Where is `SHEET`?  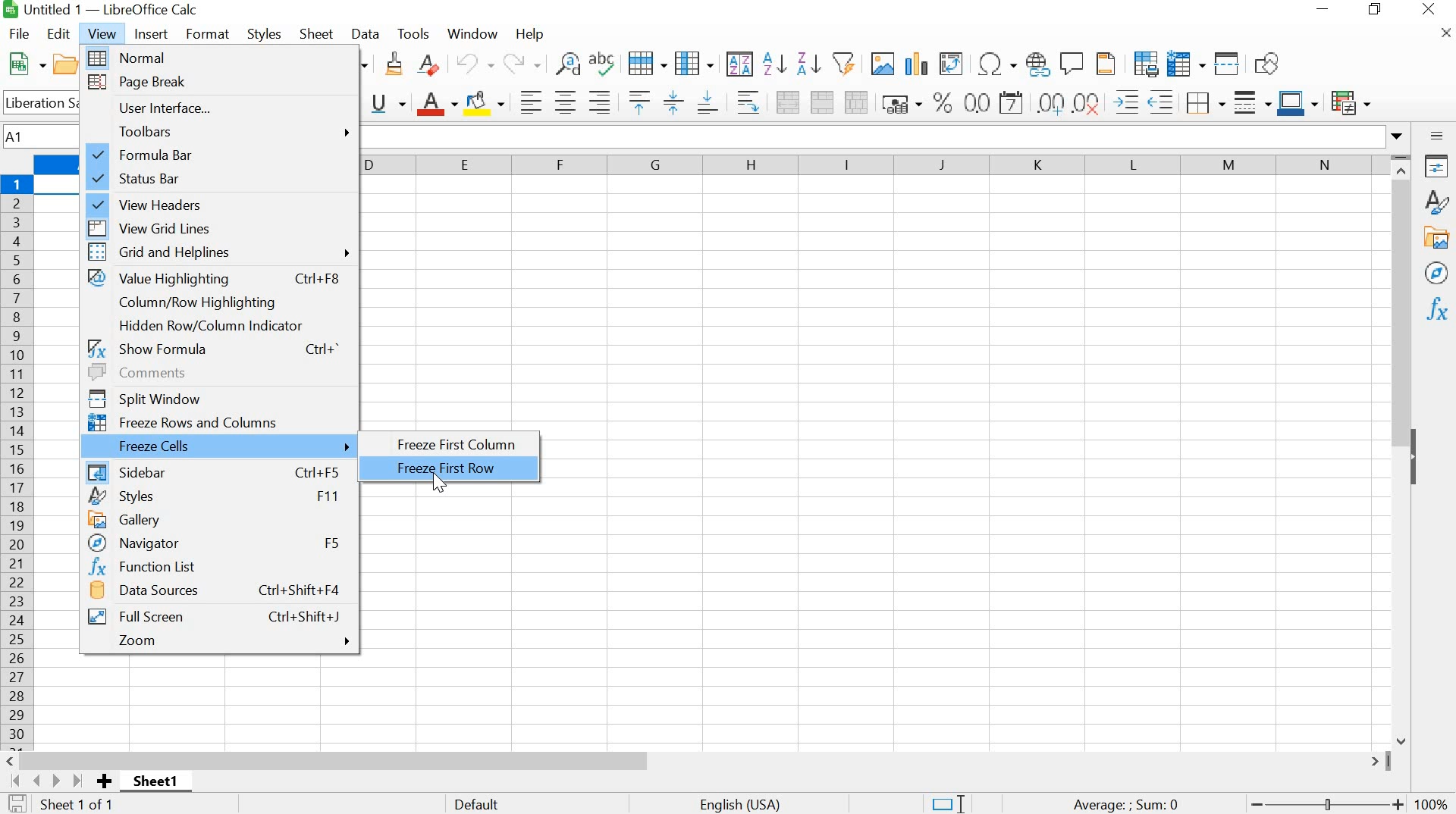 SHEET is located at coordinates (317, 36).